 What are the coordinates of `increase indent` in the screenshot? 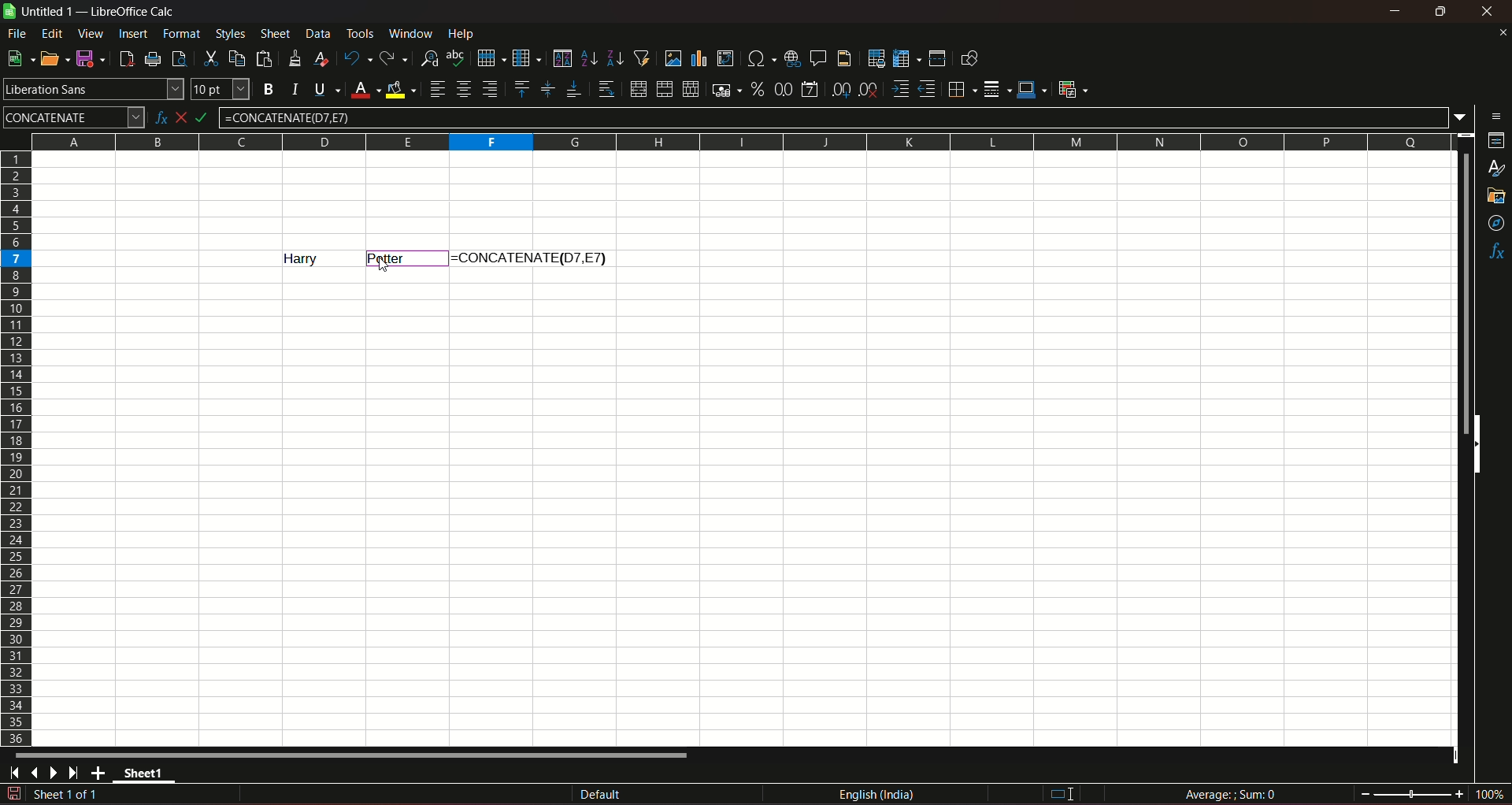 It's located at (899, 89).